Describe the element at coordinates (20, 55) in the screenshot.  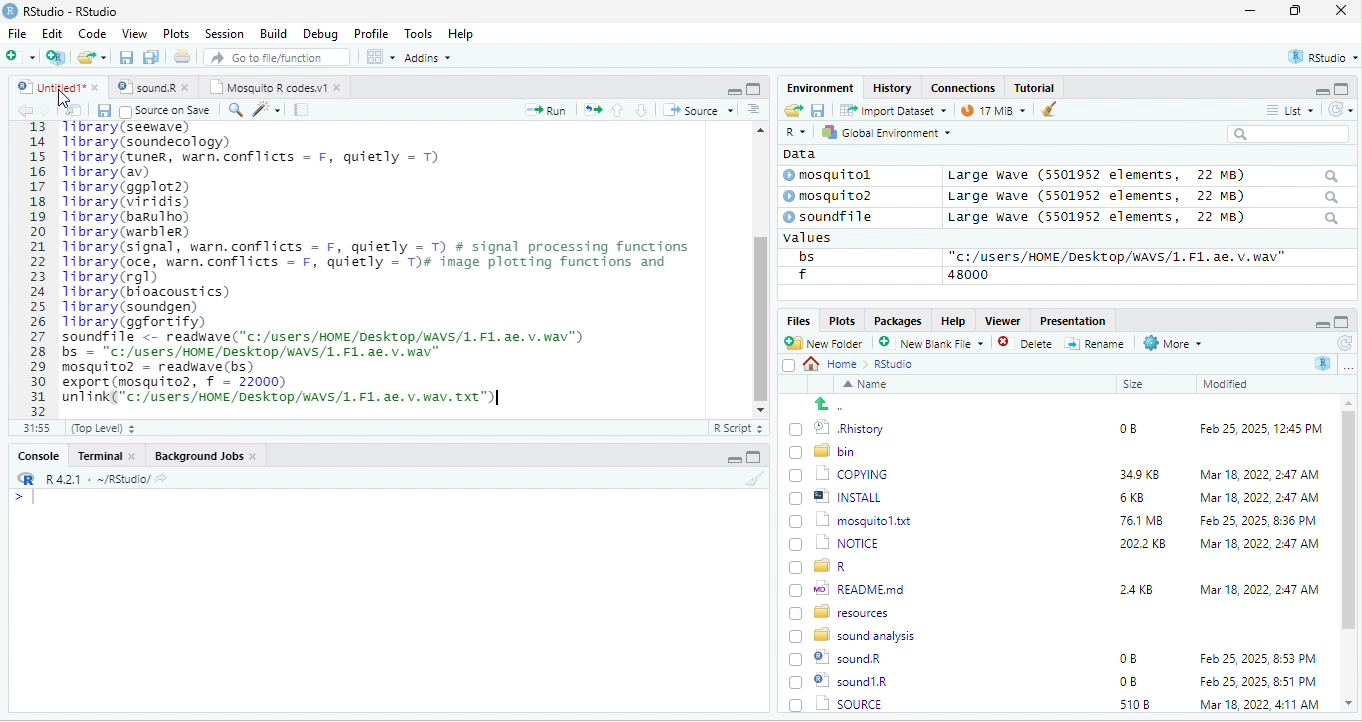
I see `new` at that location.